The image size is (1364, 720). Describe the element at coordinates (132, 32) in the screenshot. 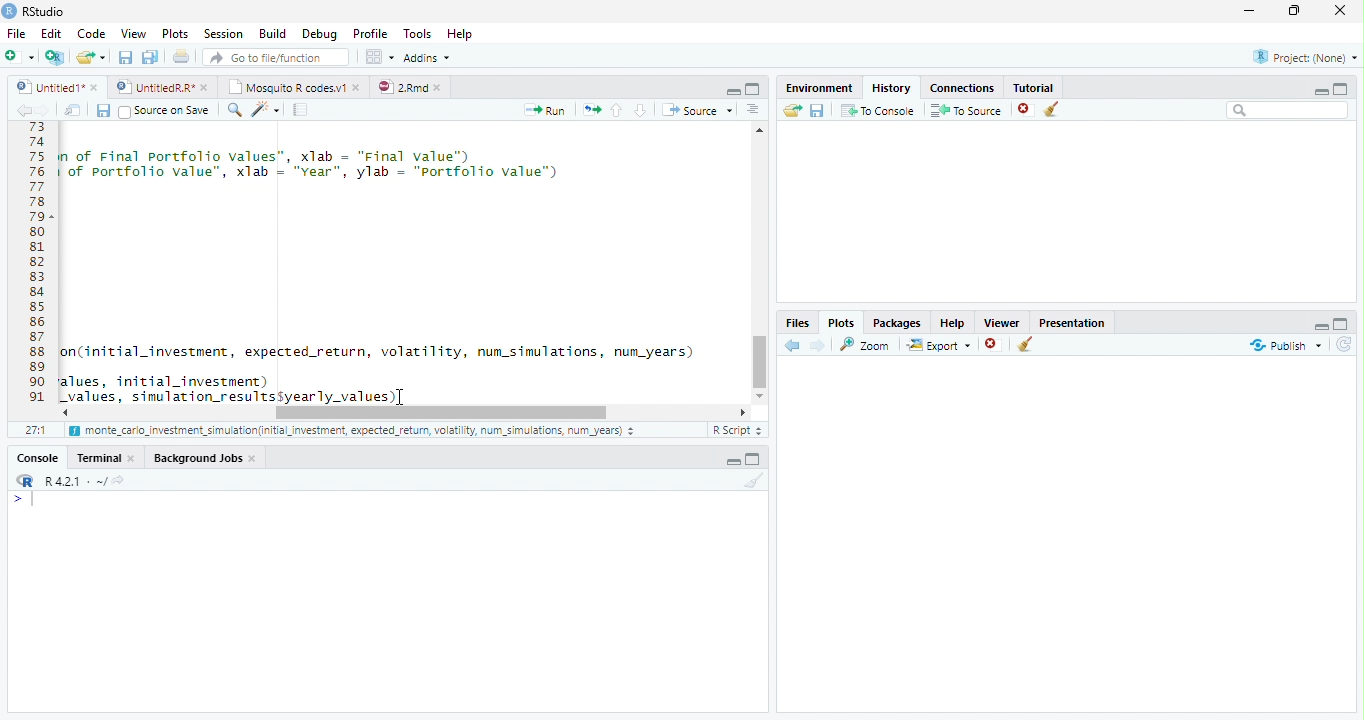

I see `View` at that location.